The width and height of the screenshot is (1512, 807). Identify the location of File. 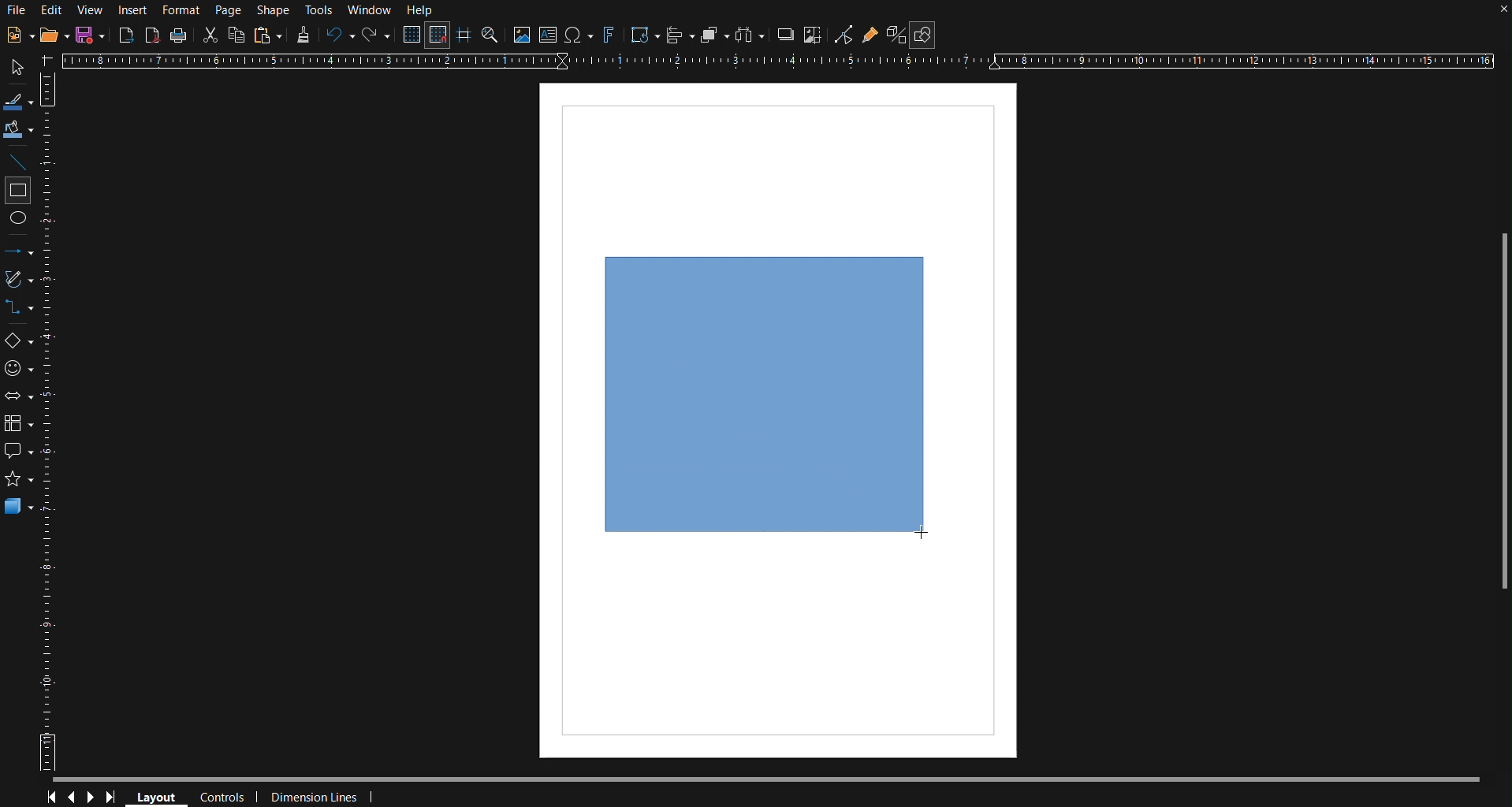
(16, 12).